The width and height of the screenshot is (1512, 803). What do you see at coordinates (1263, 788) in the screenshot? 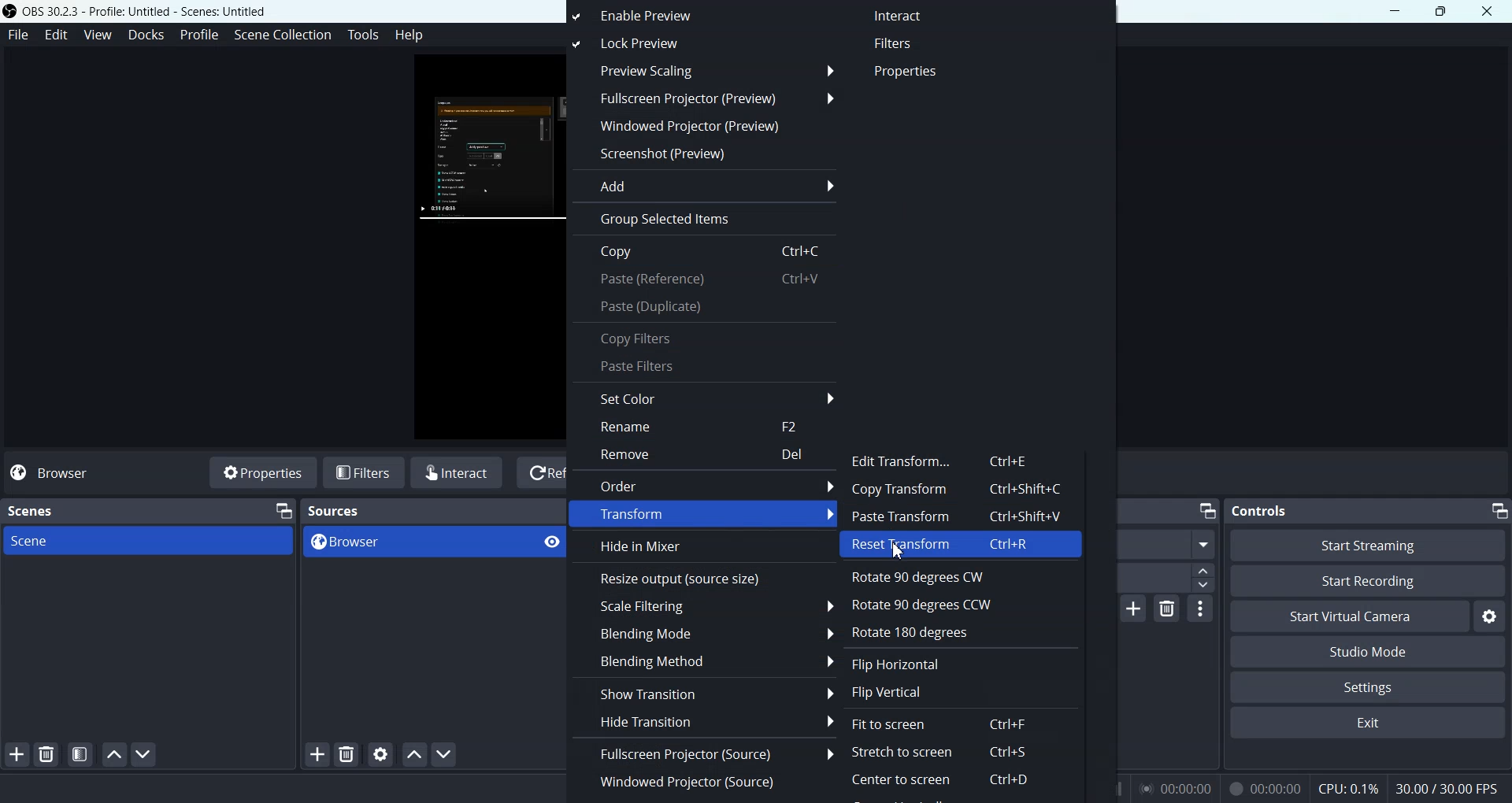
I see `00:00:00` at bounding box center [1263, 788].